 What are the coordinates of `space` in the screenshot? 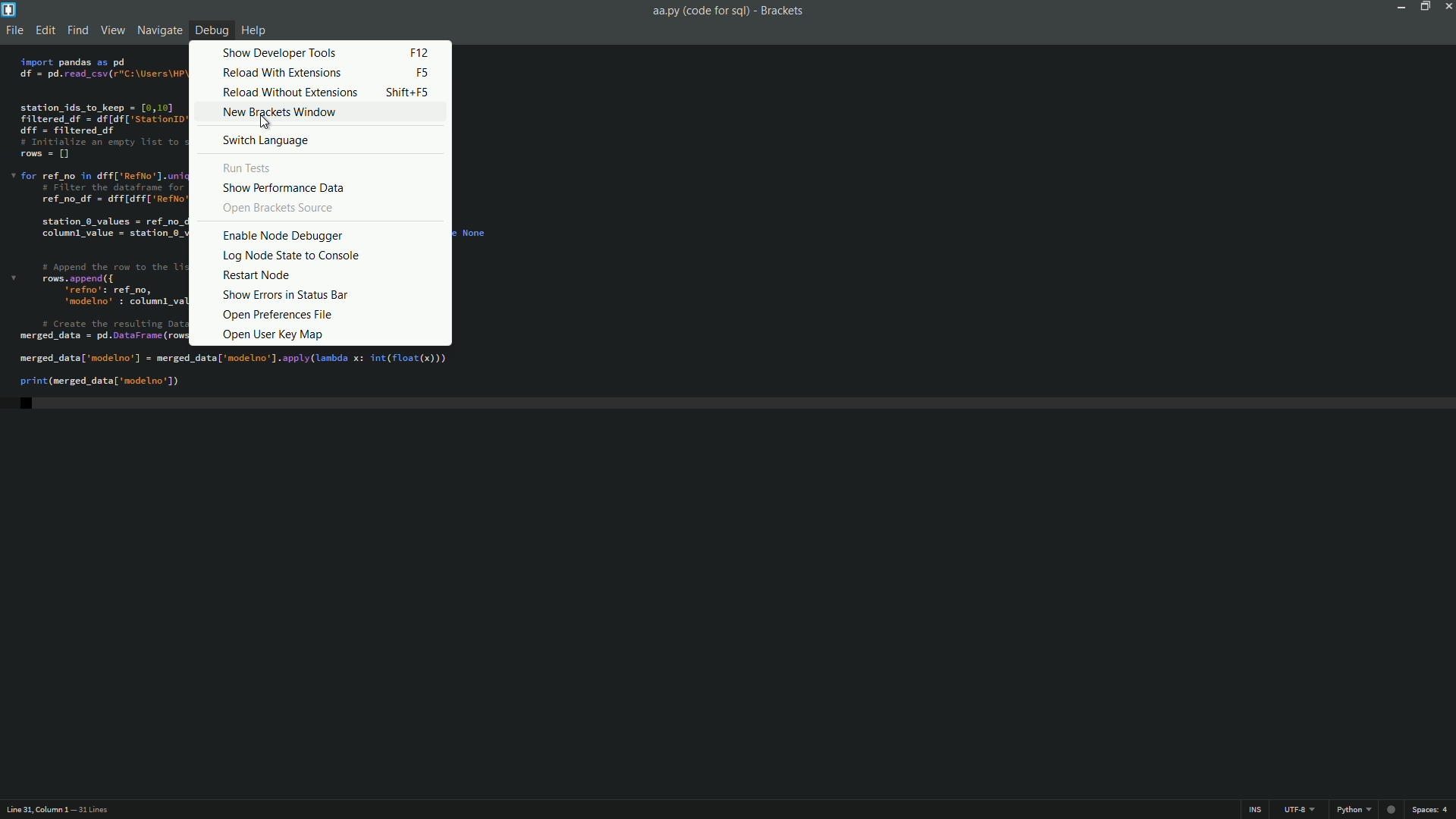 It's located at (1432, 810).